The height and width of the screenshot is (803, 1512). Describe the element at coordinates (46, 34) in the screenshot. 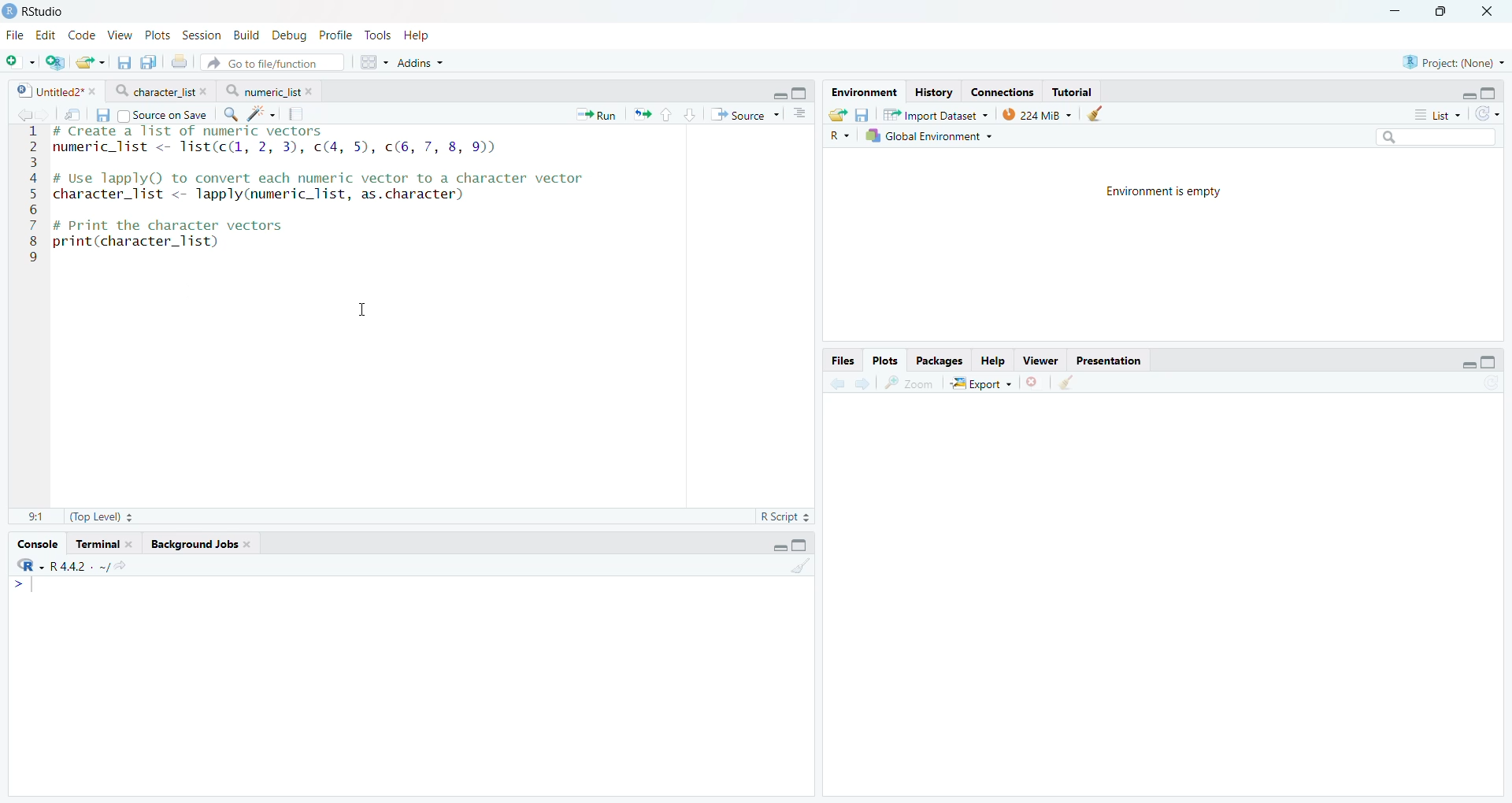

I see `Edit` at that location.